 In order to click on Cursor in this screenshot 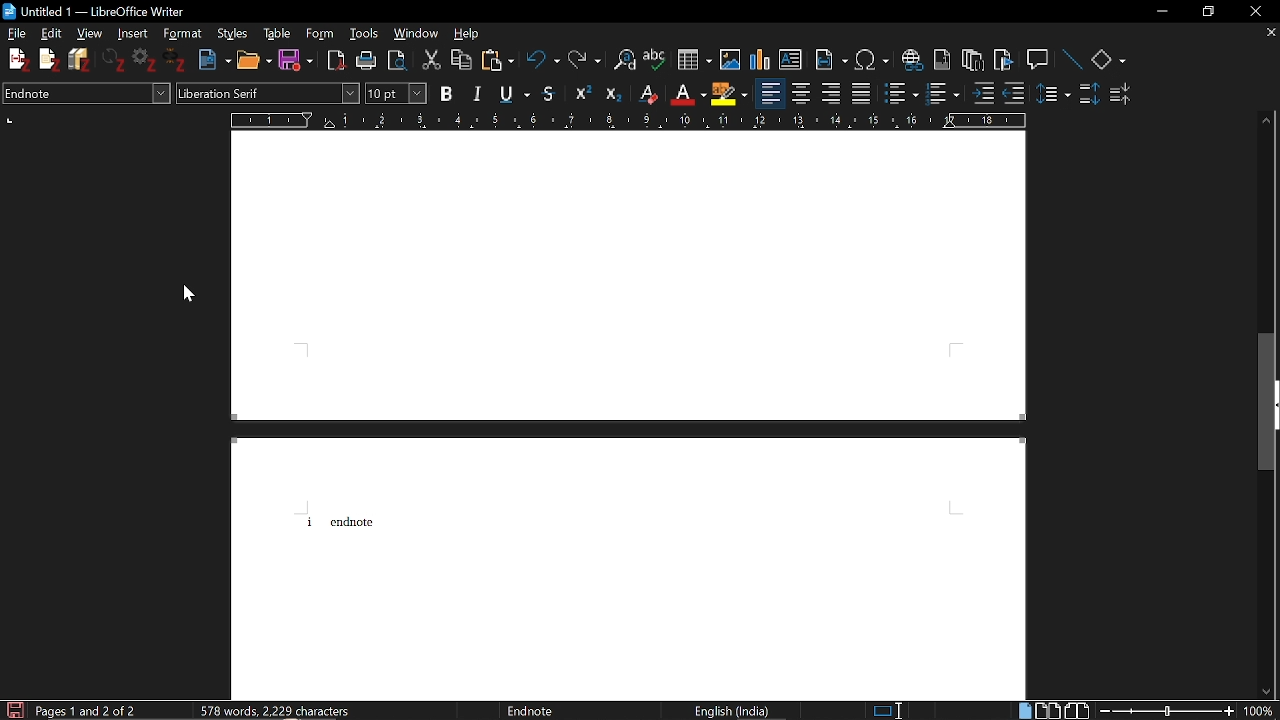, I will do `click(190, 295)`.